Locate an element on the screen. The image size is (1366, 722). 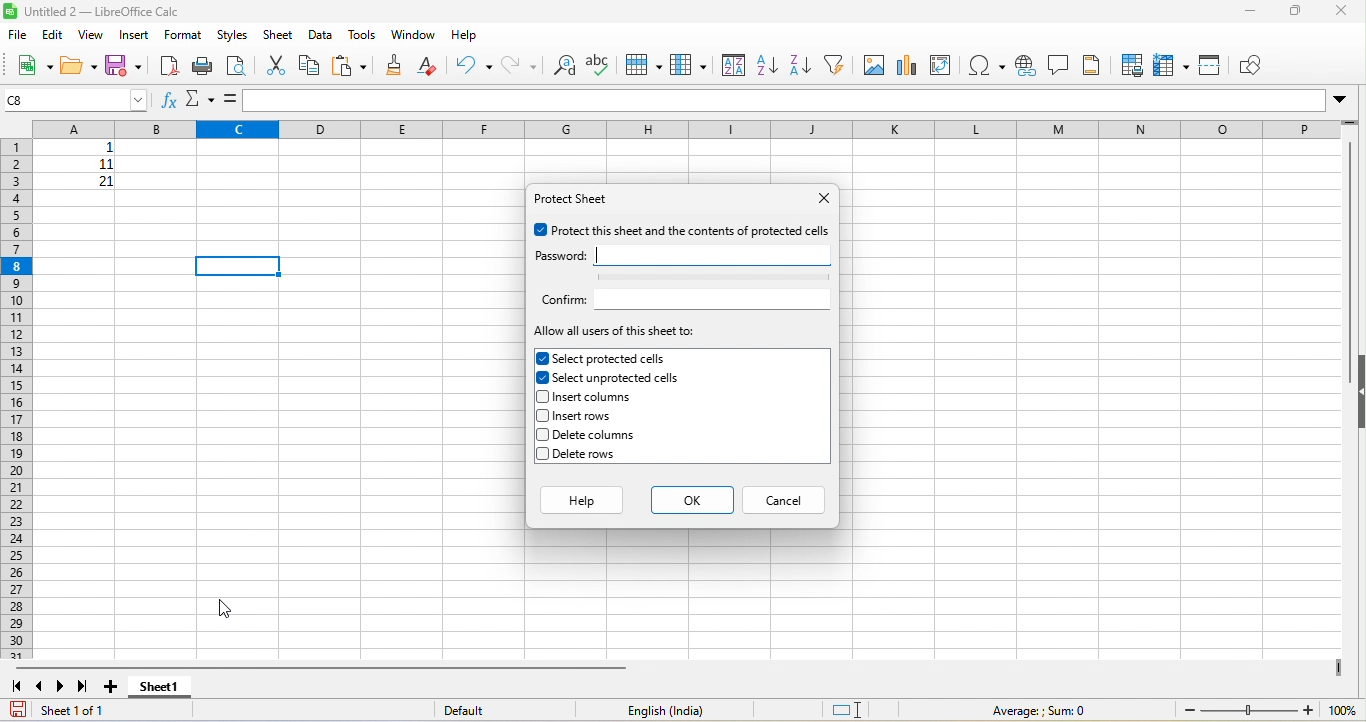
spelling is located at coordinates (598, 64).